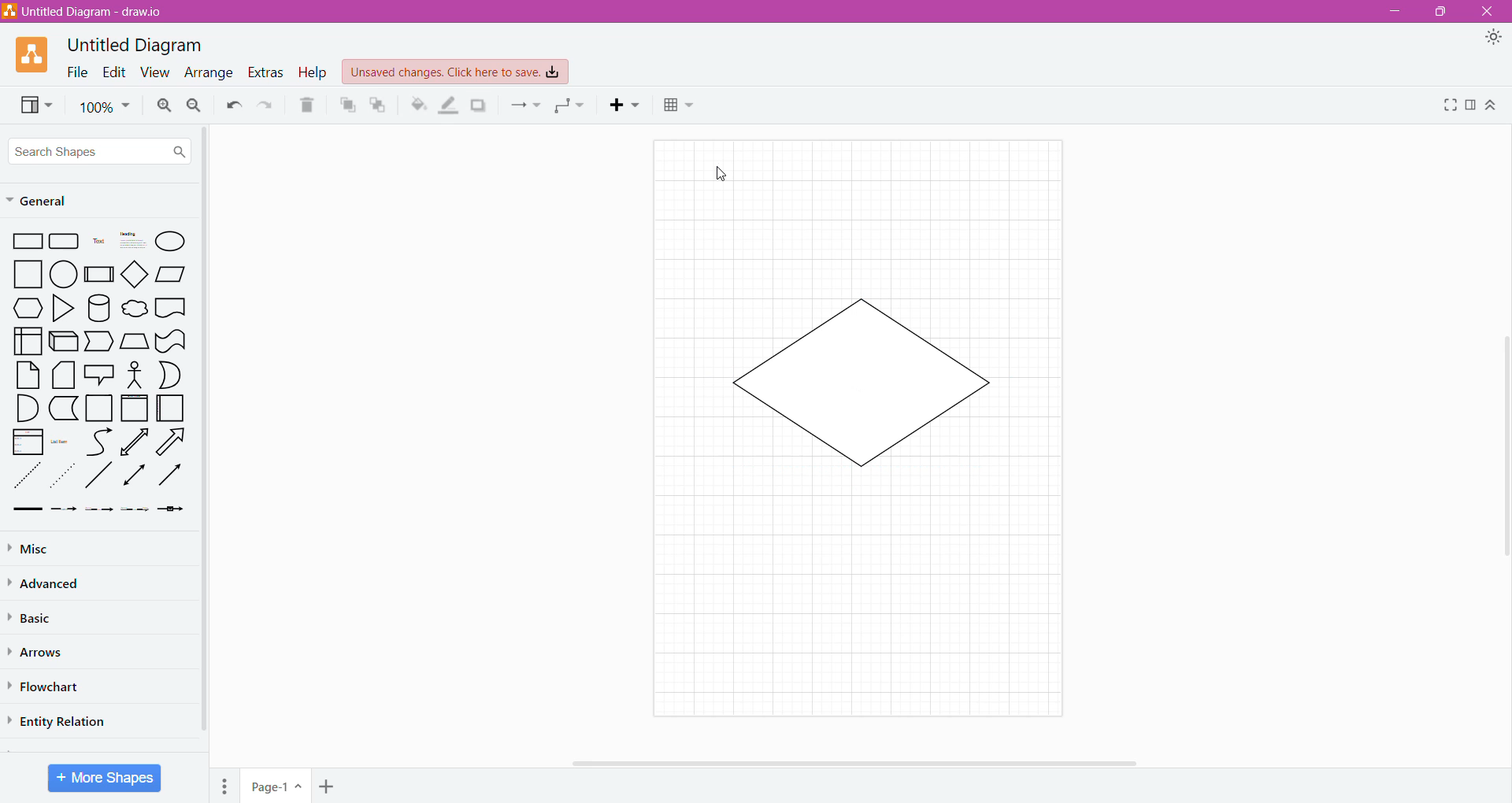 The width and height of the screenshot is (1512, 803). Describe the element at coordinates (98, 342) in the screenshot. I see `Step` at that location.